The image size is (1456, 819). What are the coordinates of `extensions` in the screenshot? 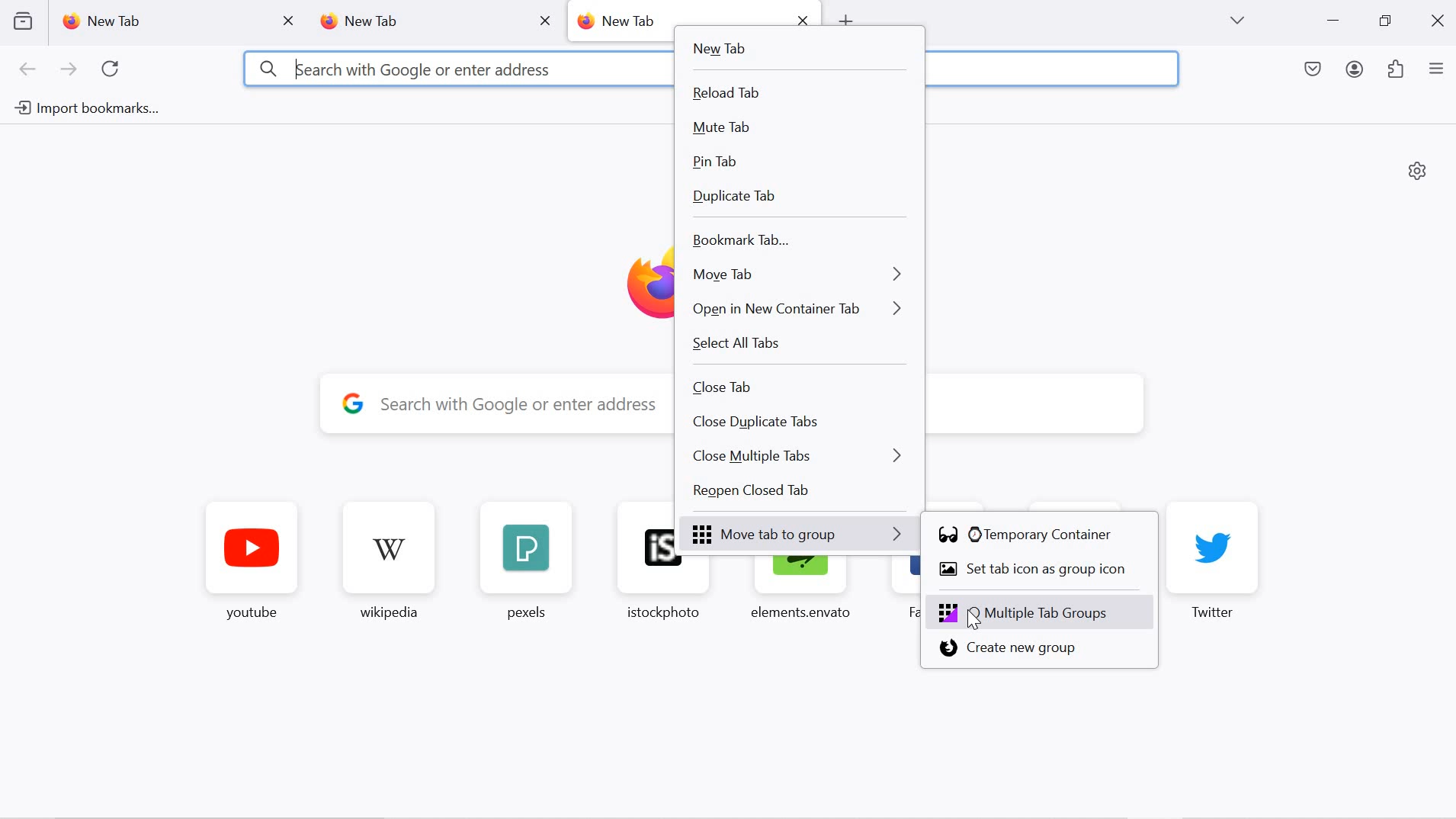 It's located at (1397, 71).